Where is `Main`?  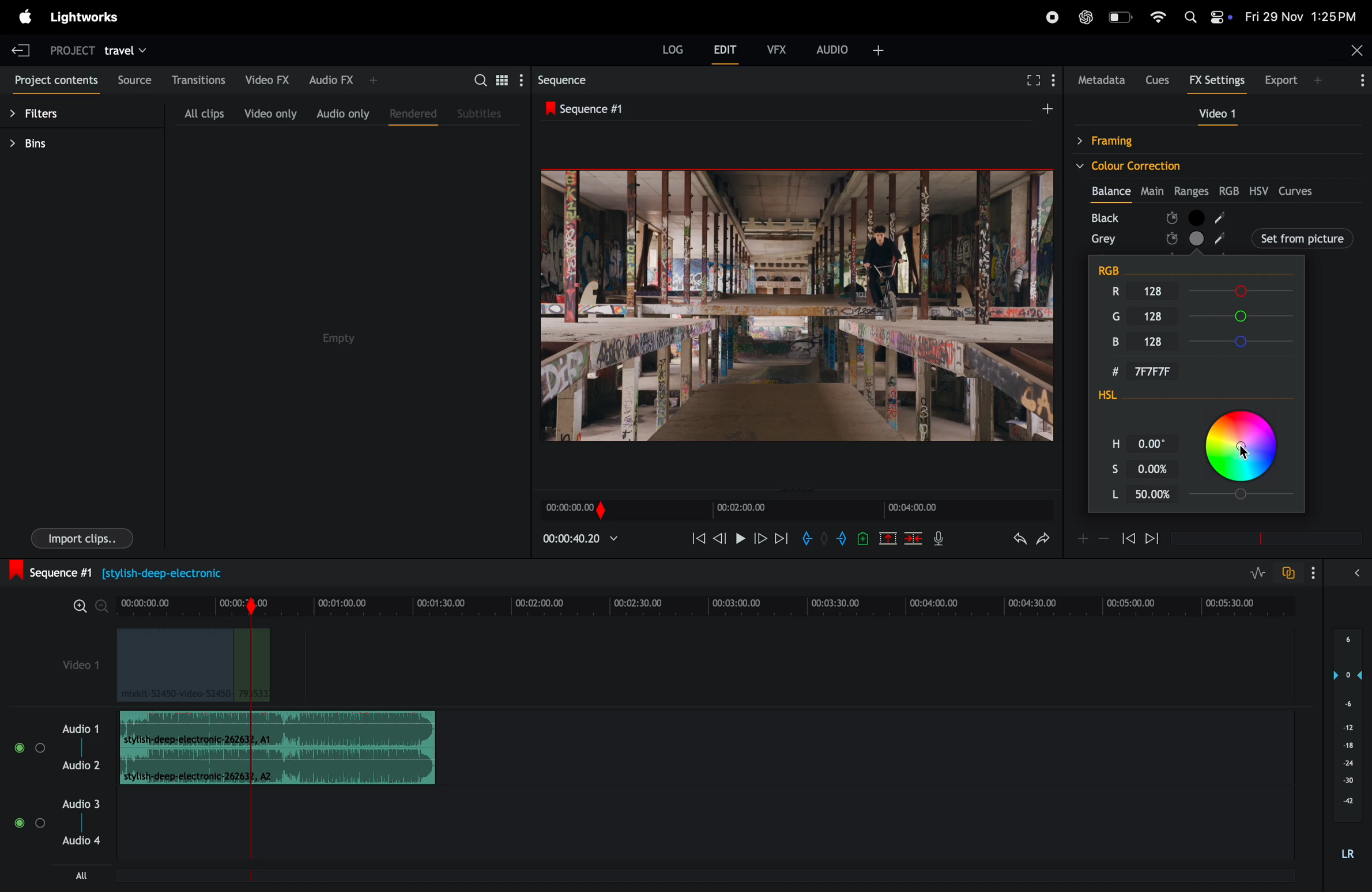
Main is located at coordinates (1154, 189).